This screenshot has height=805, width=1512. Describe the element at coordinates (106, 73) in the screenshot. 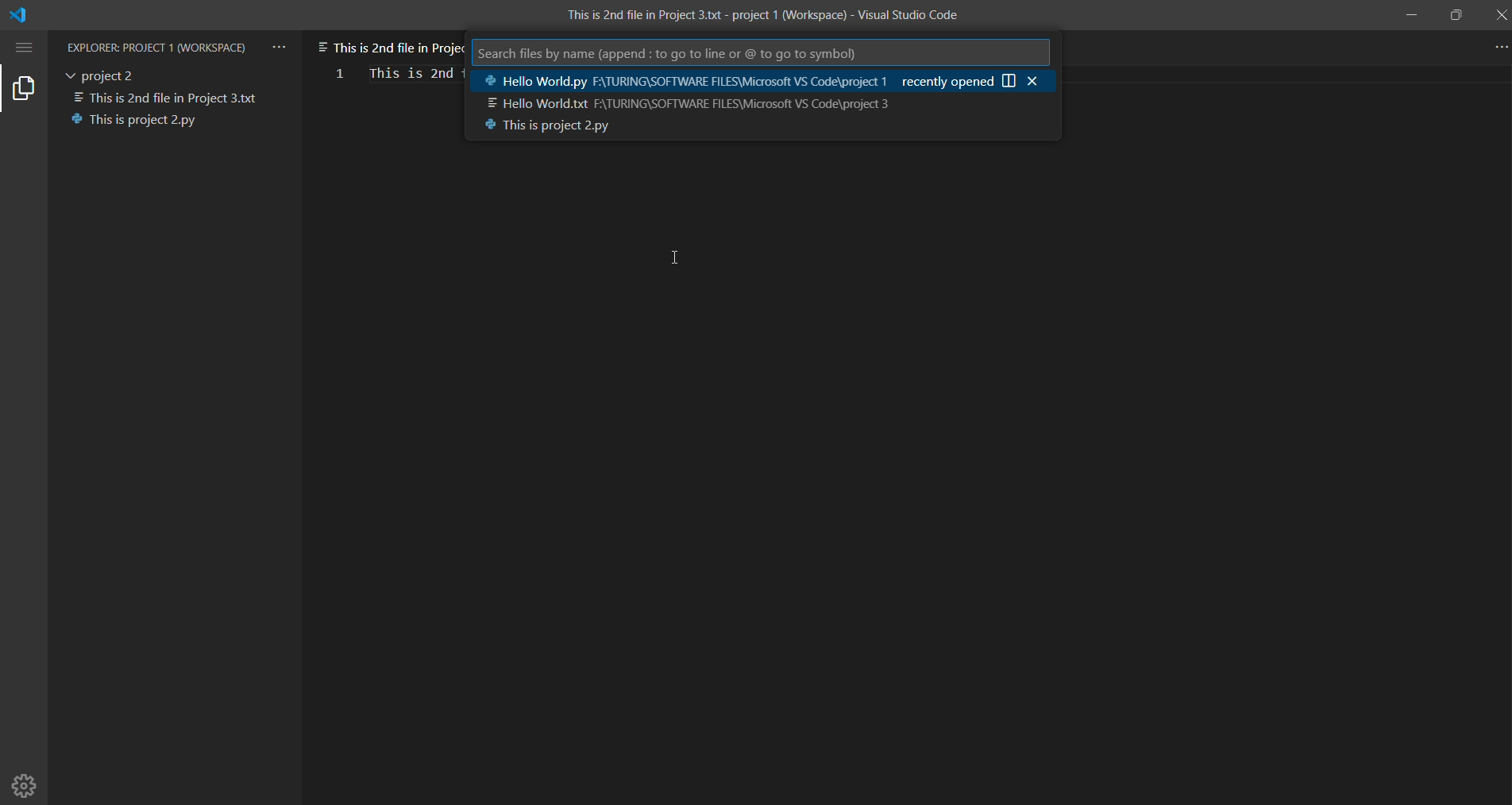

I see `project 2` at that location.